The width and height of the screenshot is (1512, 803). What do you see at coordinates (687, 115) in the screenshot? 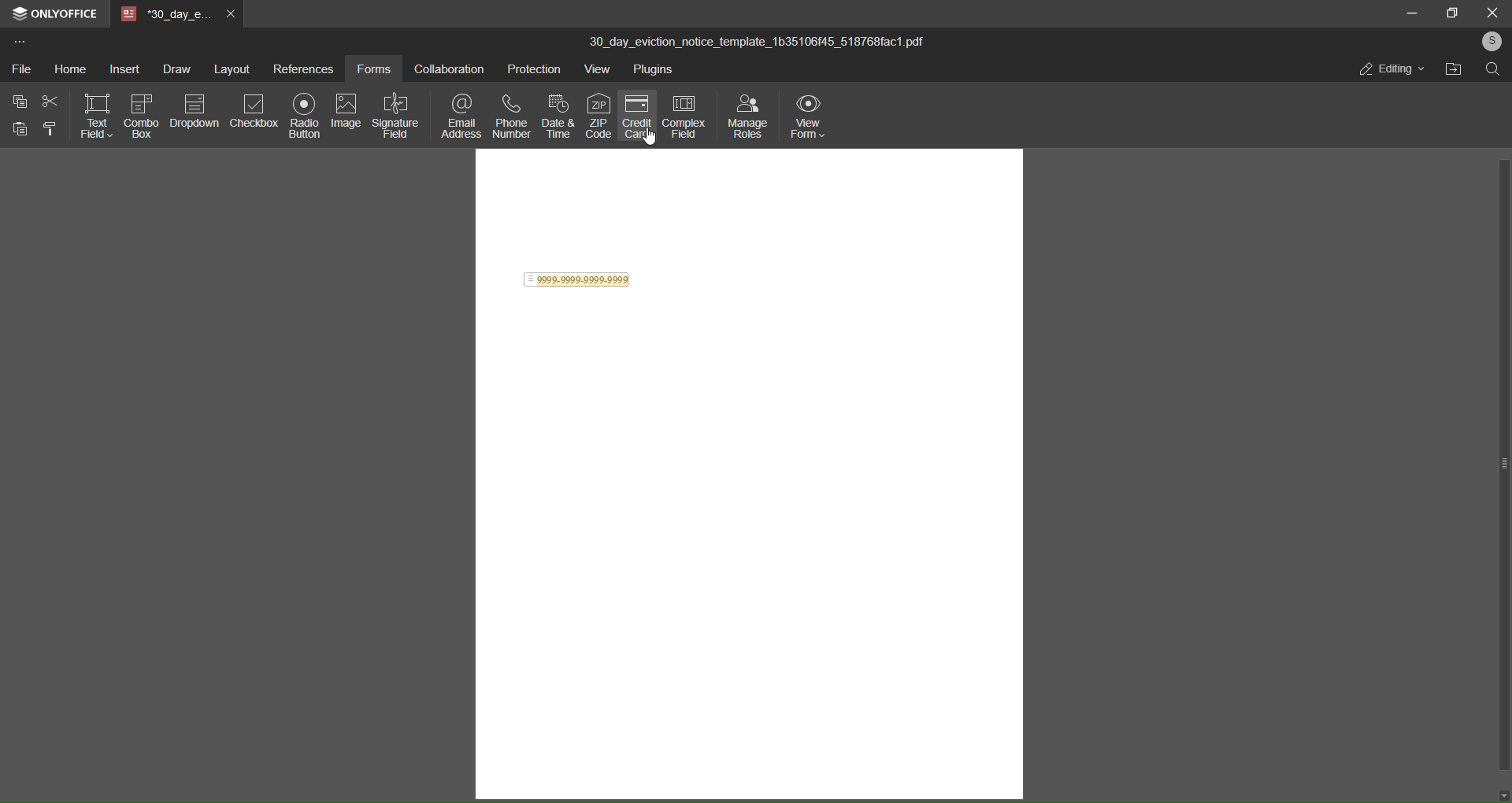
I see `complex field` at bounding box center [687, 115].